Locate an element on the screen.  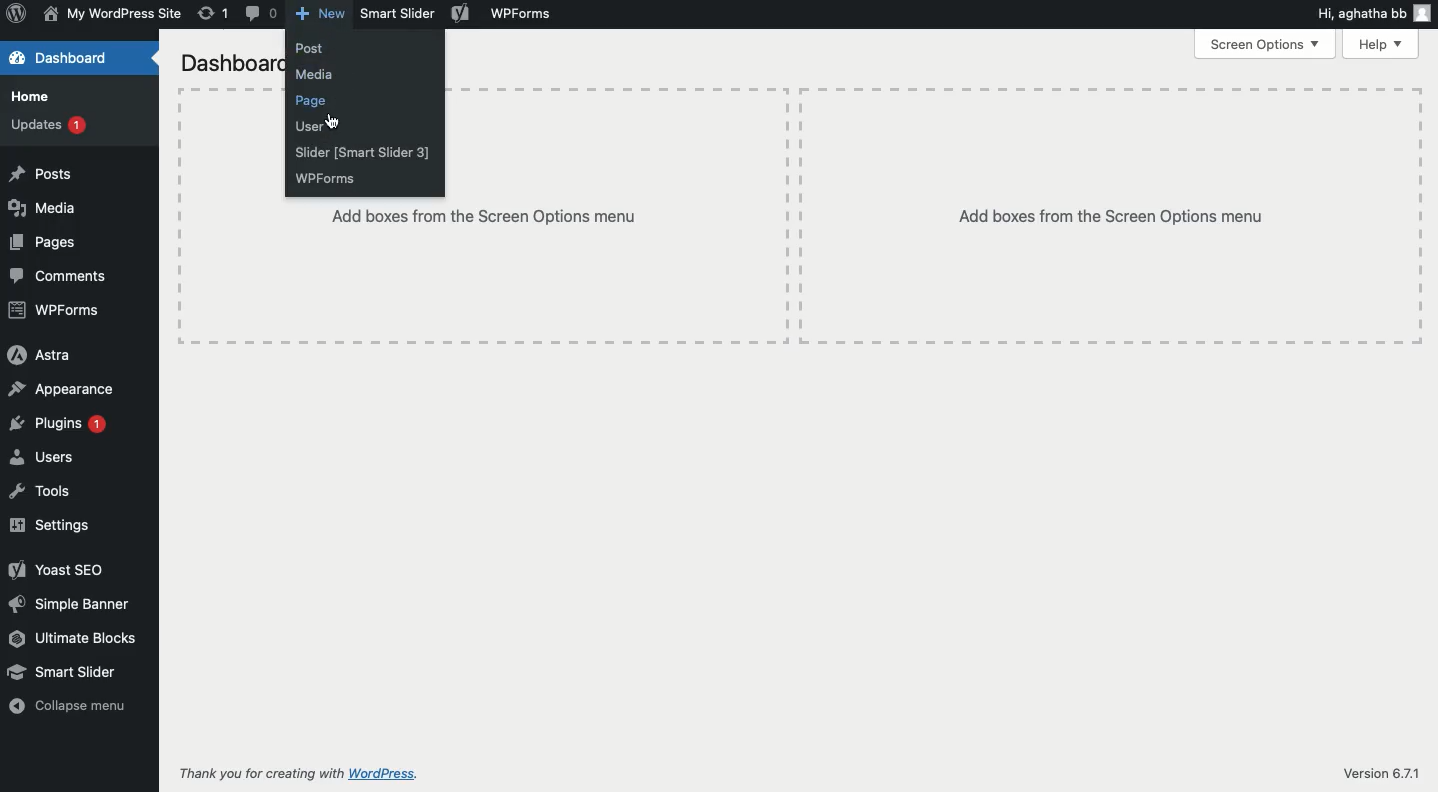
Simple banner is located at coordinates (72, 606).